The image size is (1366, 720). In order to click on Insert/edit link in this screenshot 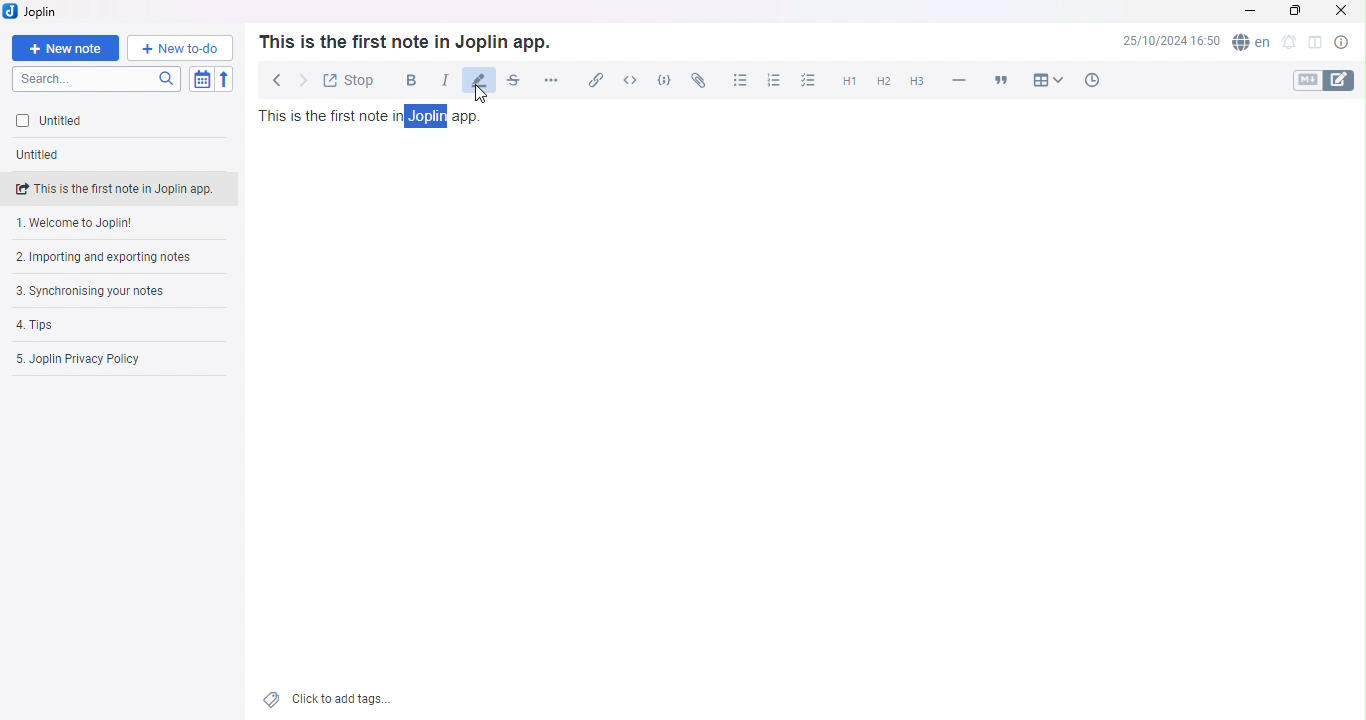, I will do `click(592, 82)`.